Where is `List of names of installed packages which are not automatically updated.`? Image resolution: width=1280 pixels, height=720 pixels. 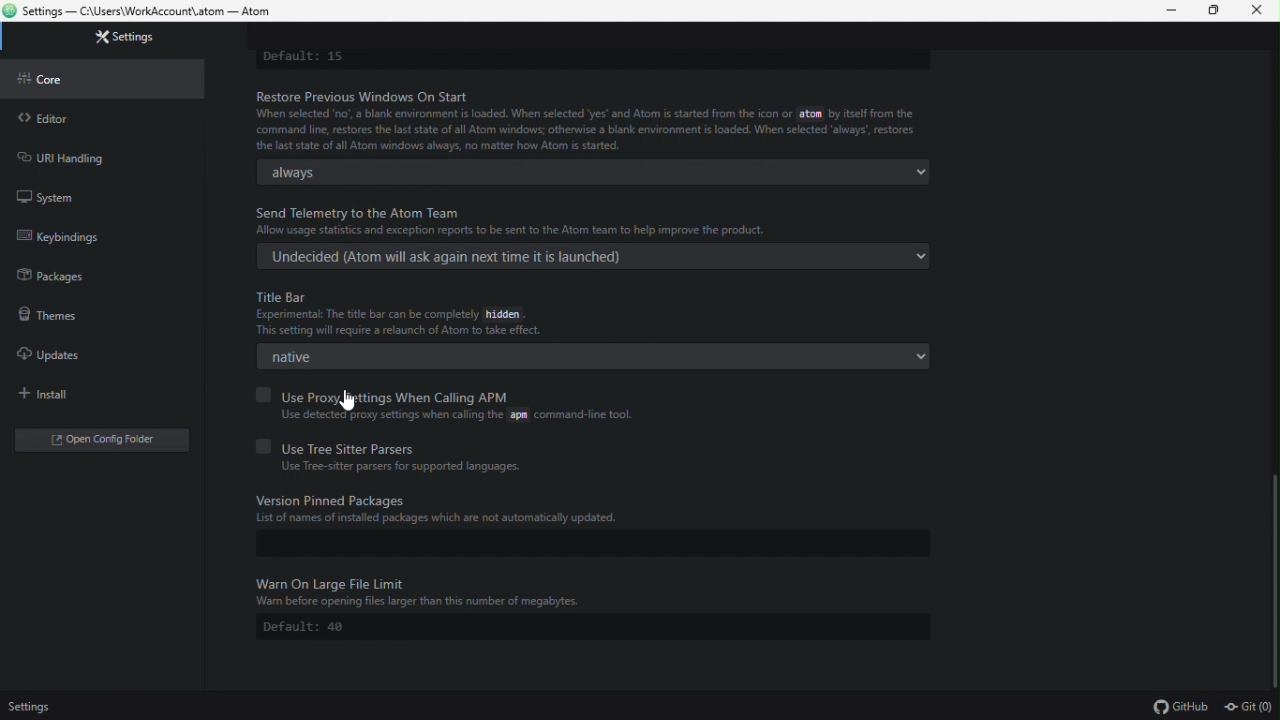
List of names of installed packages which are not automatically updated. is located at coordinates (440, 519).